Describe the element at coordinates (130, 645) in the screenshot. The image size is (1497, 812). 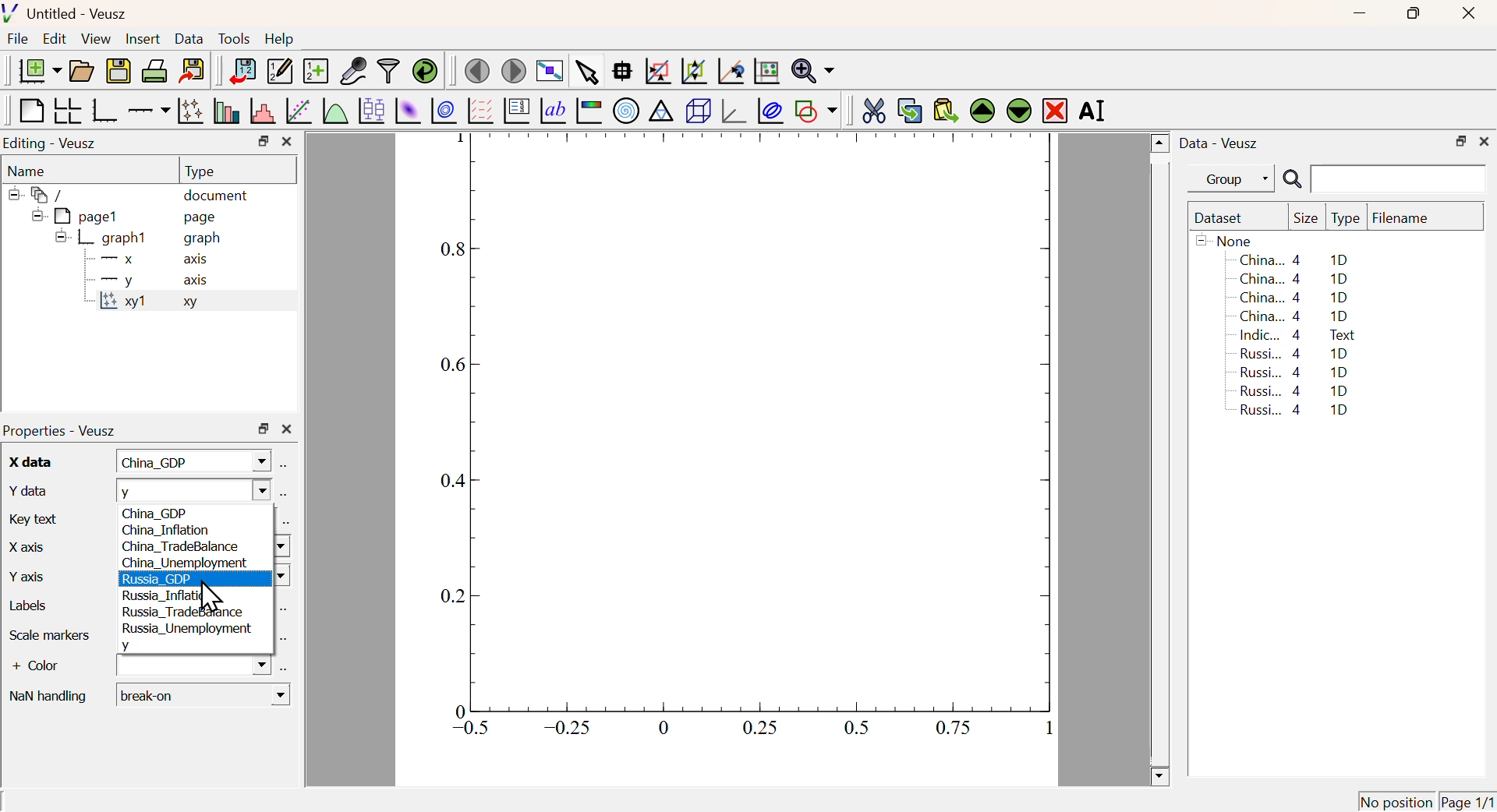
I see `y` at that location.